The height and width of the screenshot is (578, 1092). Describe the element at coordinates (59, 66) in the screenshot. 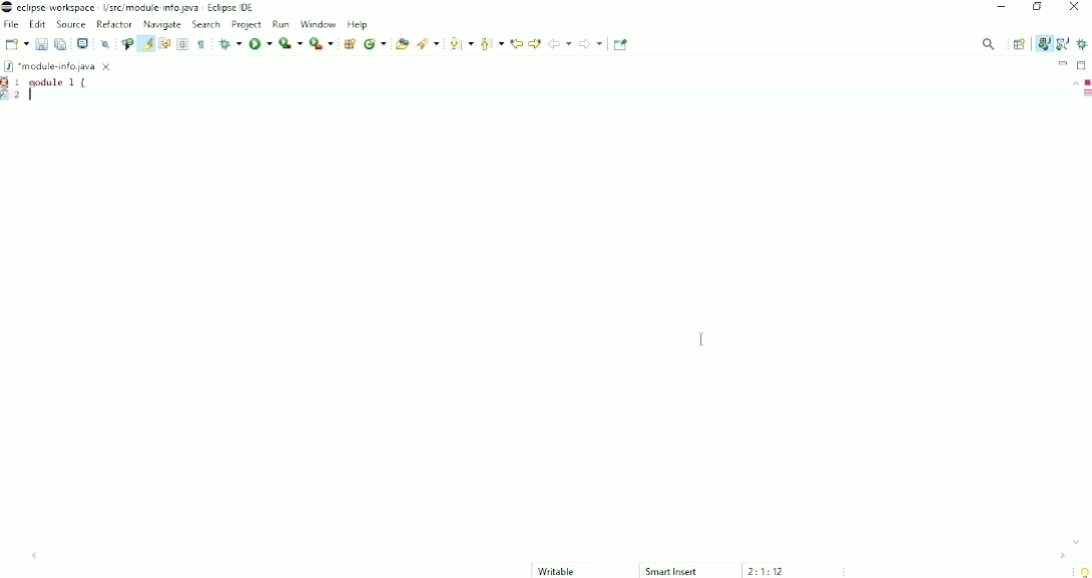

I see `*module-info.java` at that location.